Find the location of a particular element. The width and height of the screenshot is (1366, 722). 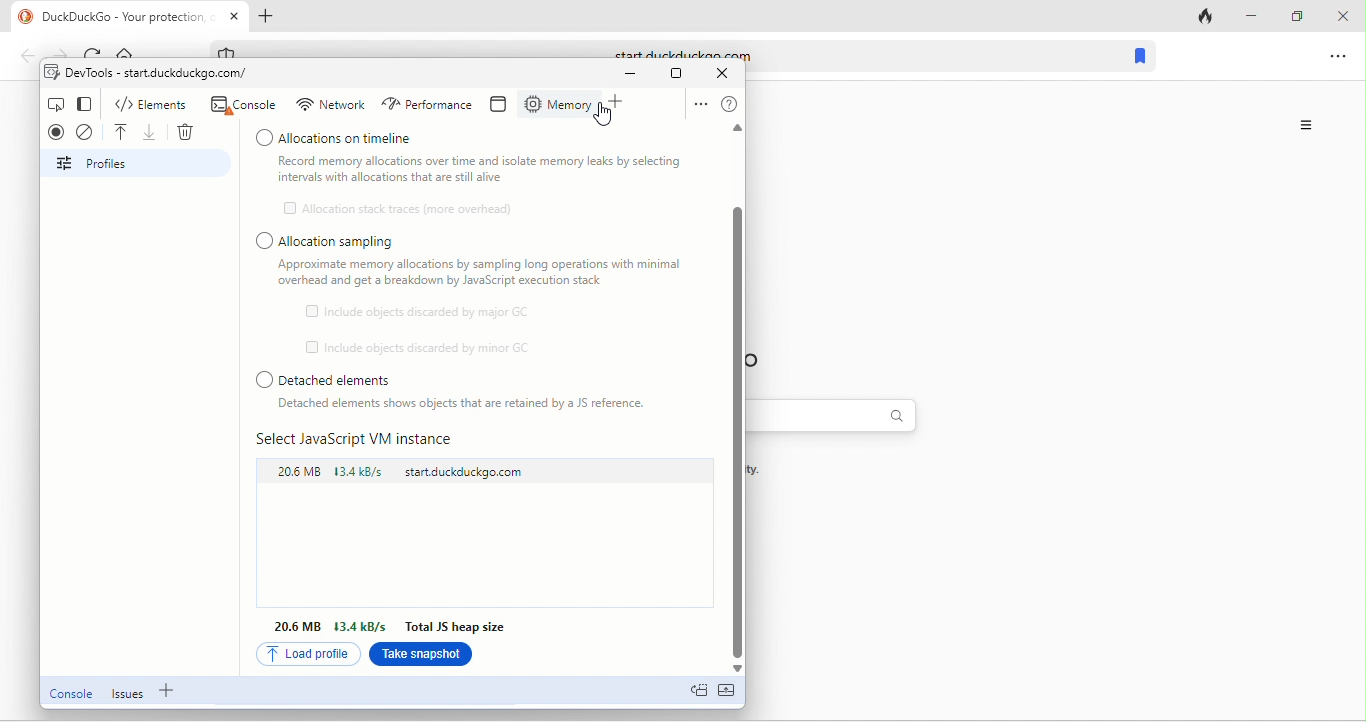

inspect is located at coordinates (59, 105).